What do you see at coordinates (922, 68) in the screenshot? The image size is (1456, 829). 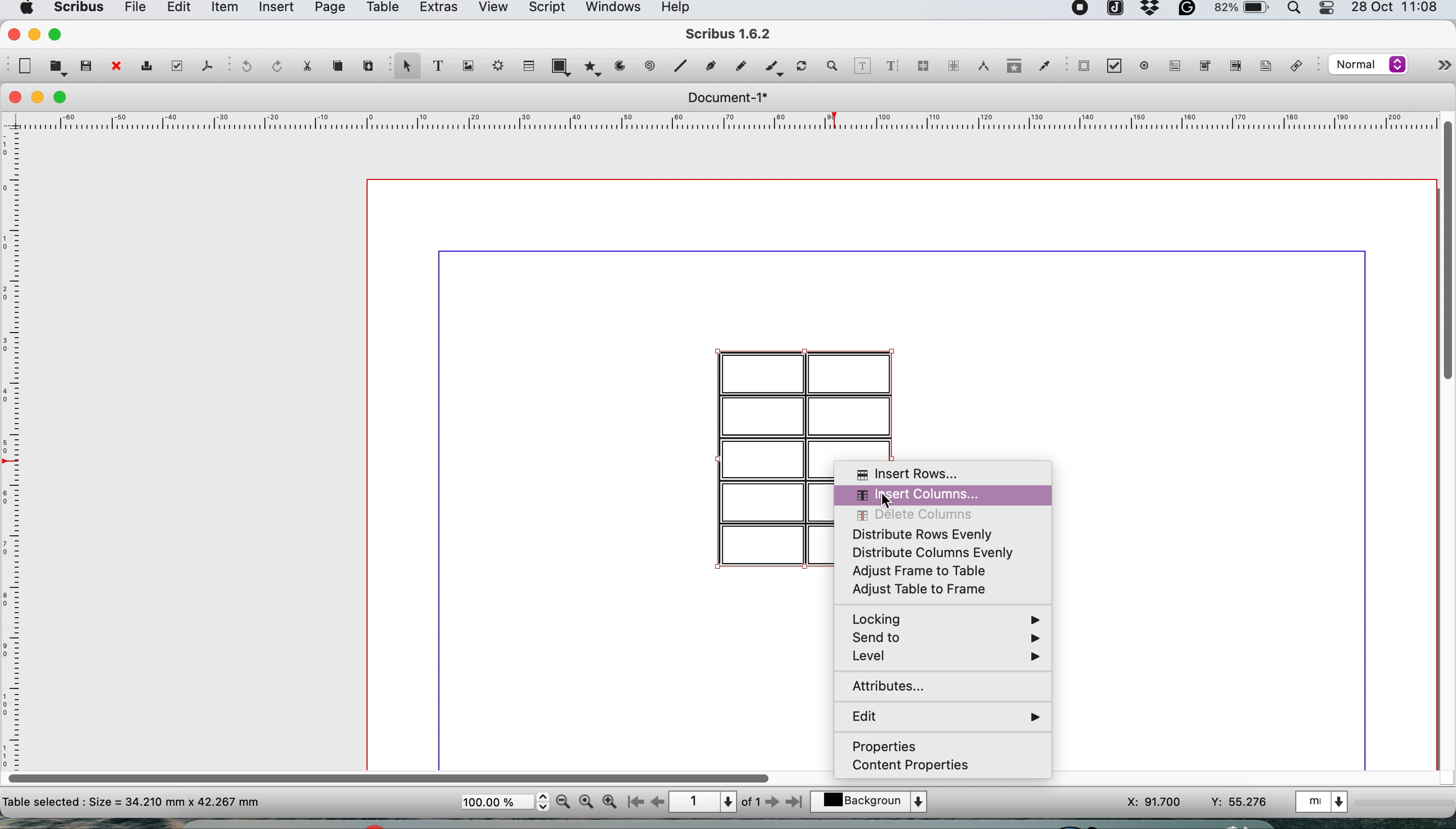 I see `link text frames` at bounding box center [922, 68].